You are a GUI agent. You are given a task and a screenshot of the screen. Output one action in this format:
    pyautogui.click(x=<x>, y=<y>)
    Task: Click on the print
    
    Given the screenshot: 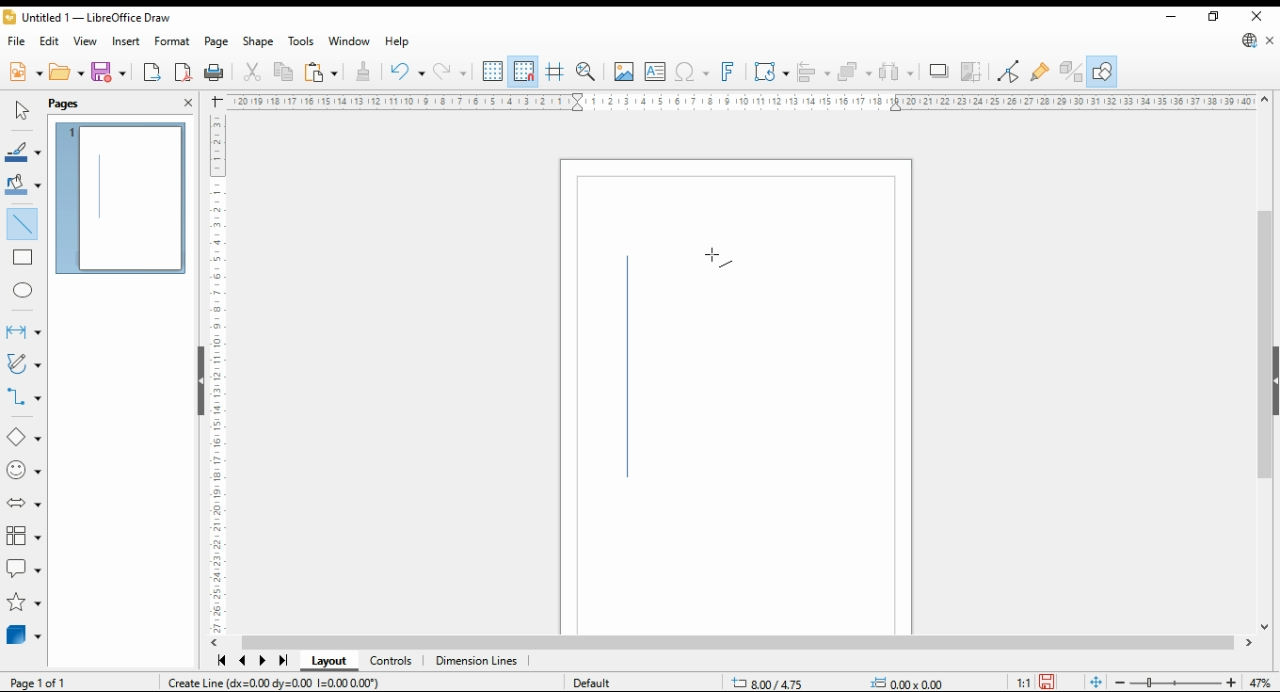 What is the action you would take?
    pyautogui.click(x=215, y=71)
    